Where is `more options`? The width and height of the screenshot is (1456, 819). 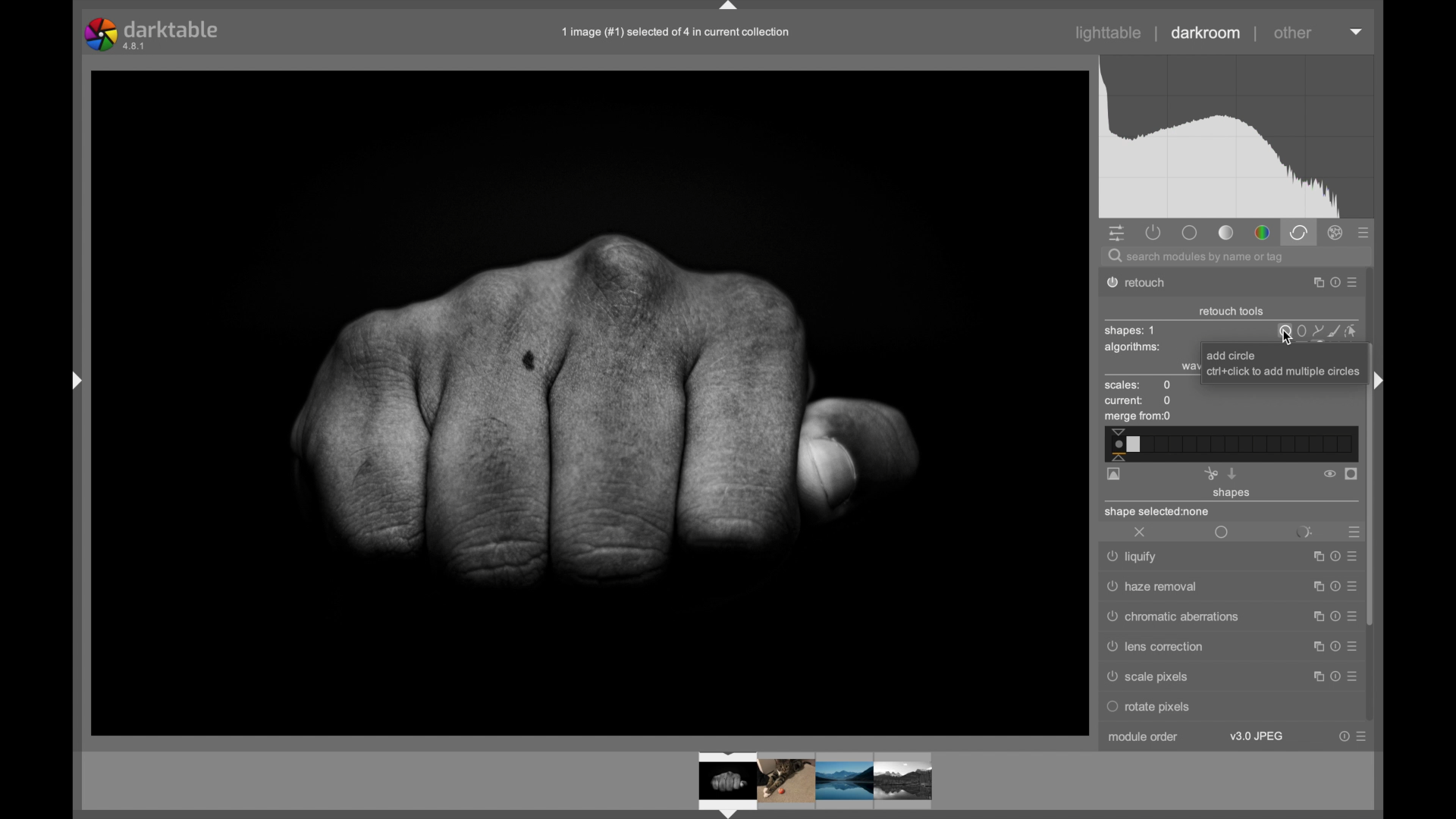 more options is located at coordinates (1352, 646).